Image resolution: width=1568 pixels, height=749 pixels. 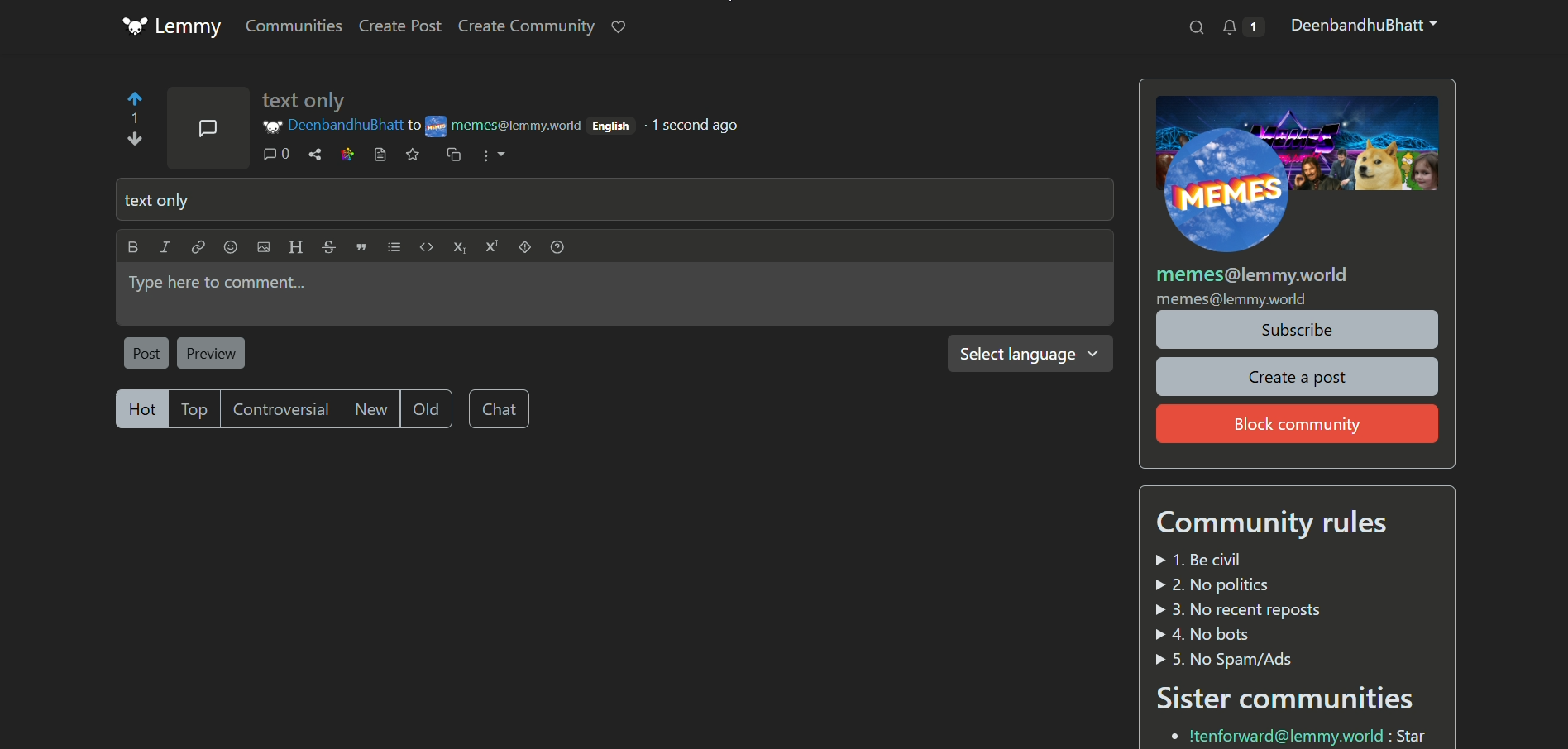 What do you see at coordinates (1297, 201) in the screenshot?
I see `name and photo` at bounding box center [1297, 201].